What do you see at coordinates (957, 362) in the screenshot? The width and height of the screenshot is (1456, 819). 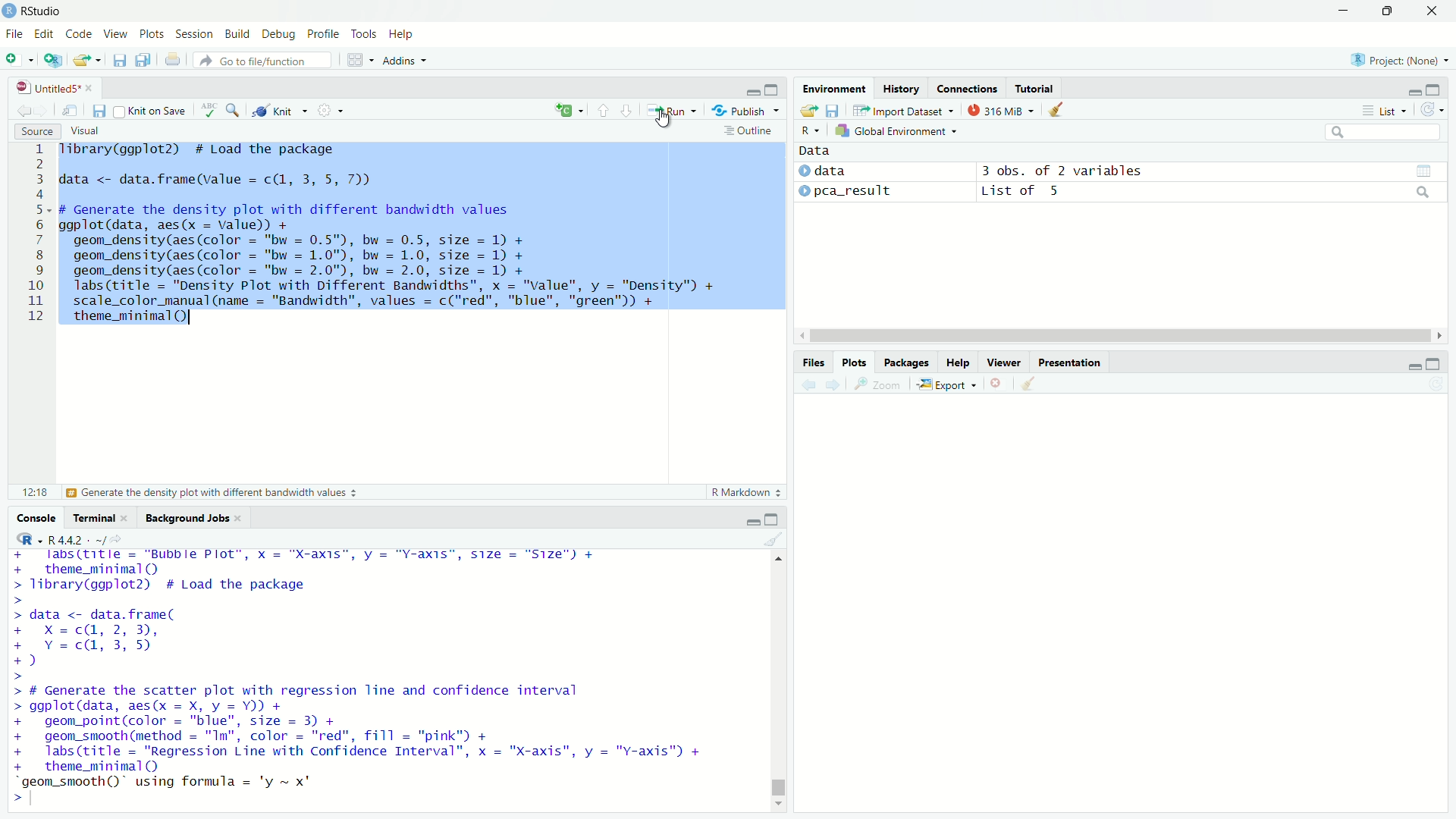 I see `Help` at bounding box center [957, 362].